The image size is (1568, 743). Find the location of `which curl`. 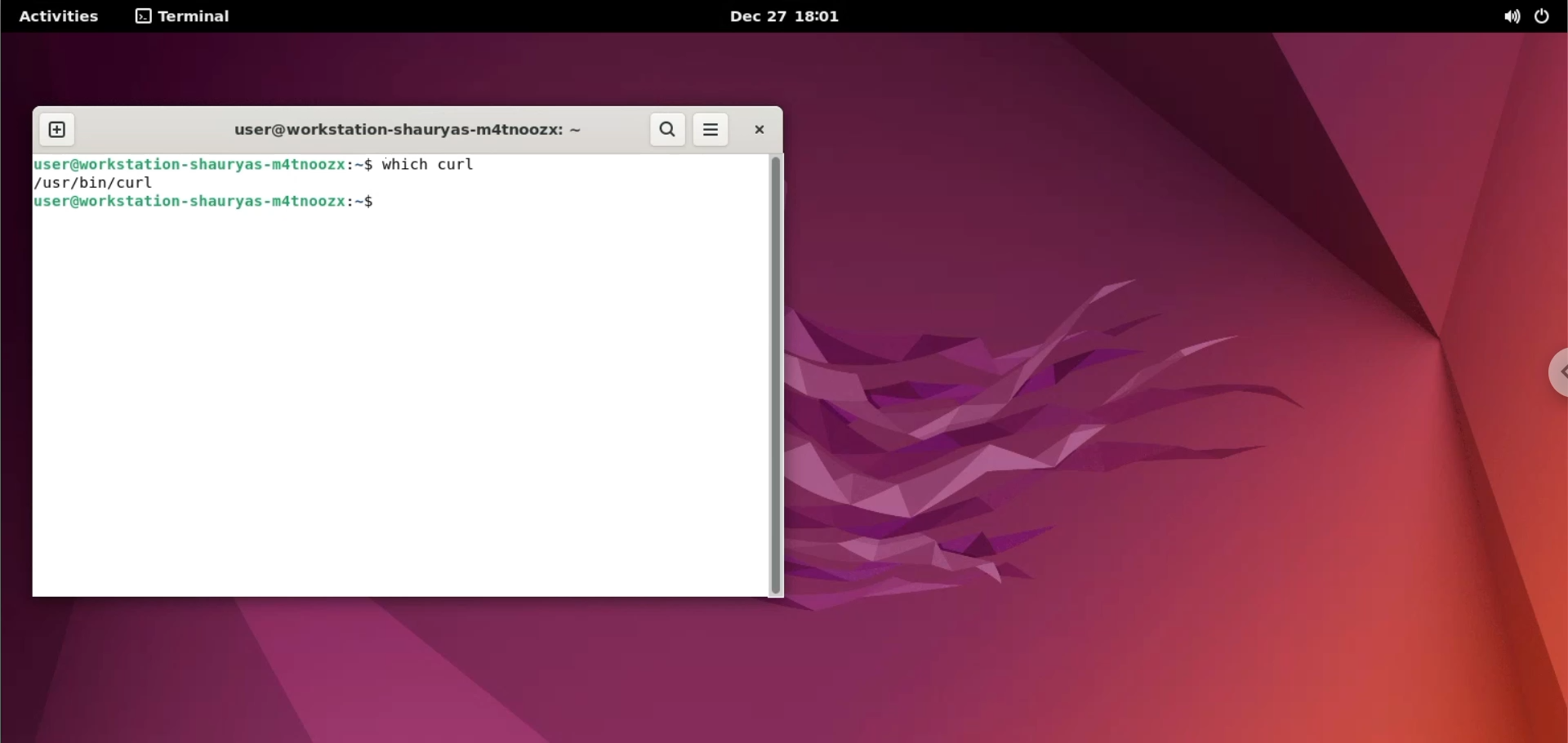

which curl is located at coordinates (469, 163).